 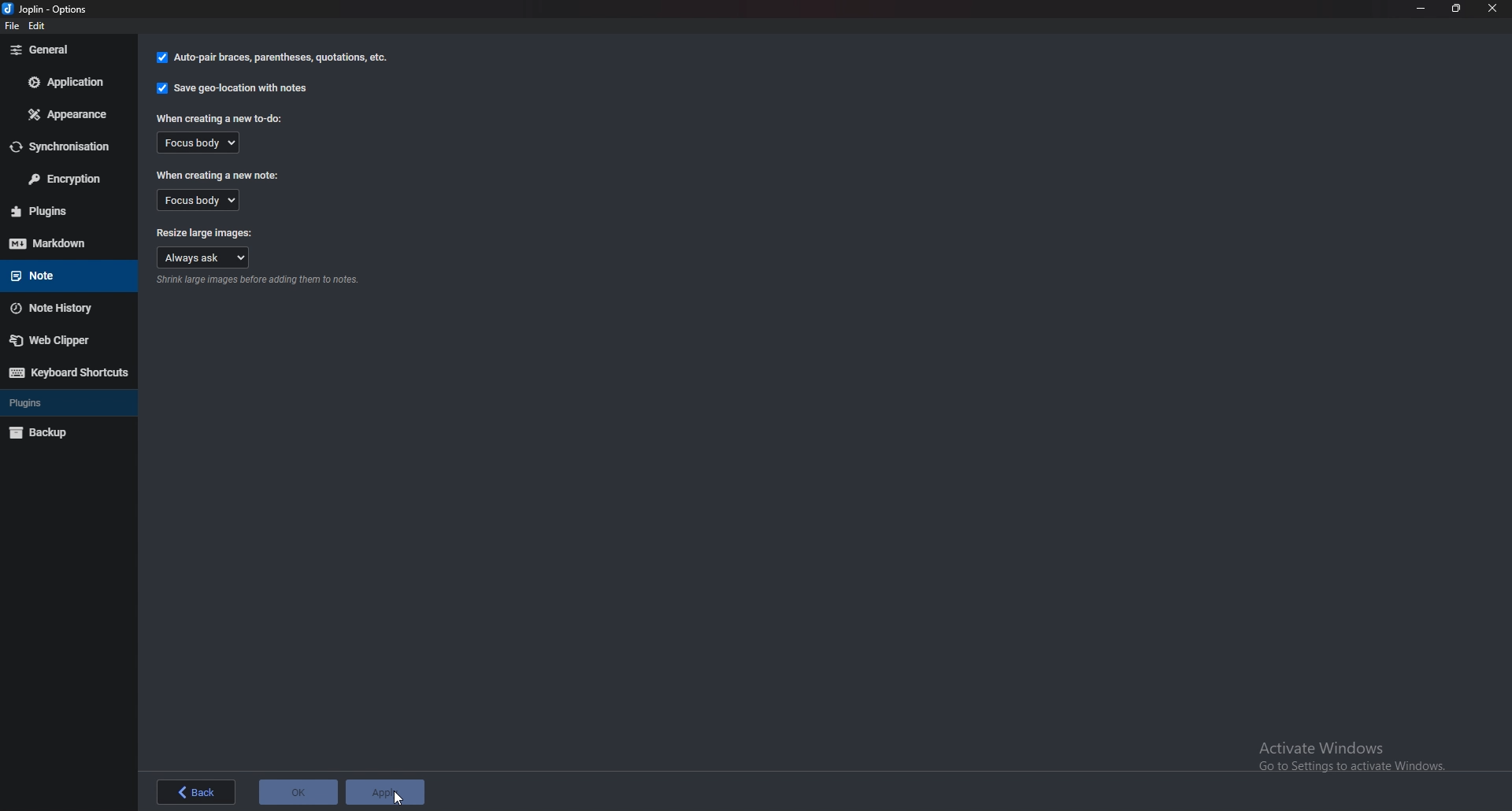 I want to click on Resize large images, so click(x=205, y=231).